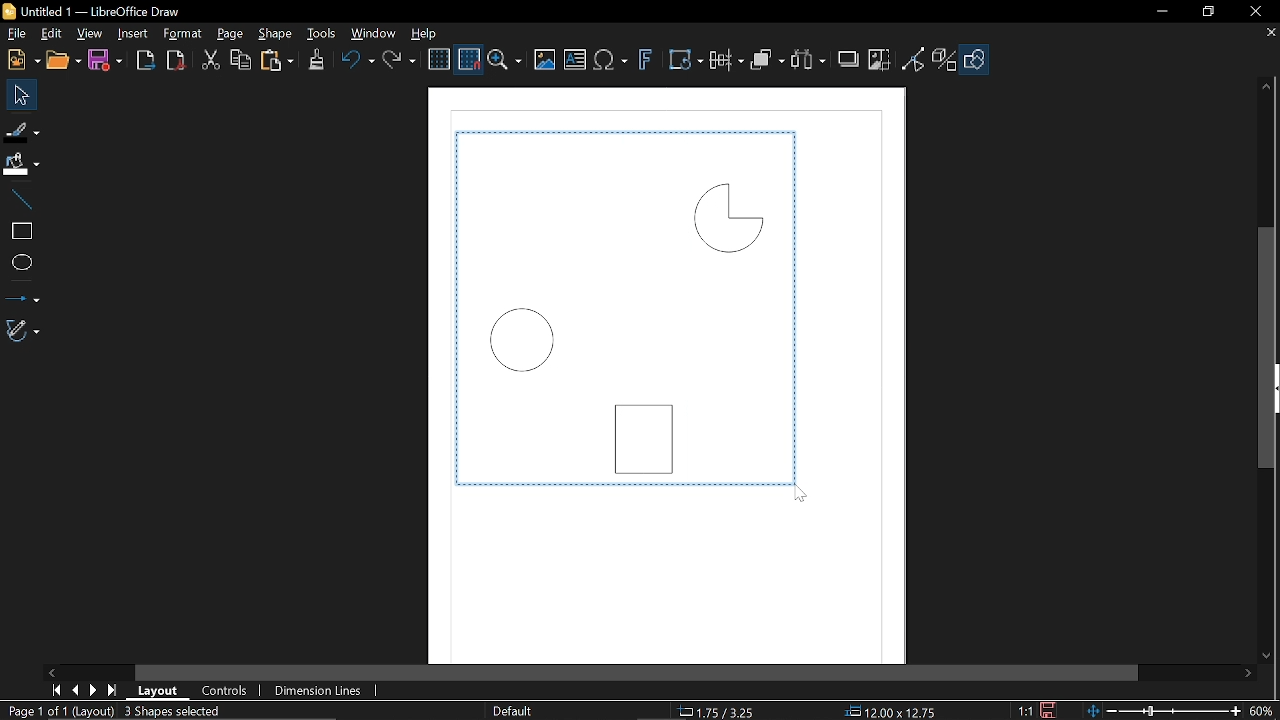 This screenshot has width=1280, height=720. Describe the element at coordinates (111, 11) in the screenshot. I see `Untitled 1 — LibreOffice Draw` at that location.